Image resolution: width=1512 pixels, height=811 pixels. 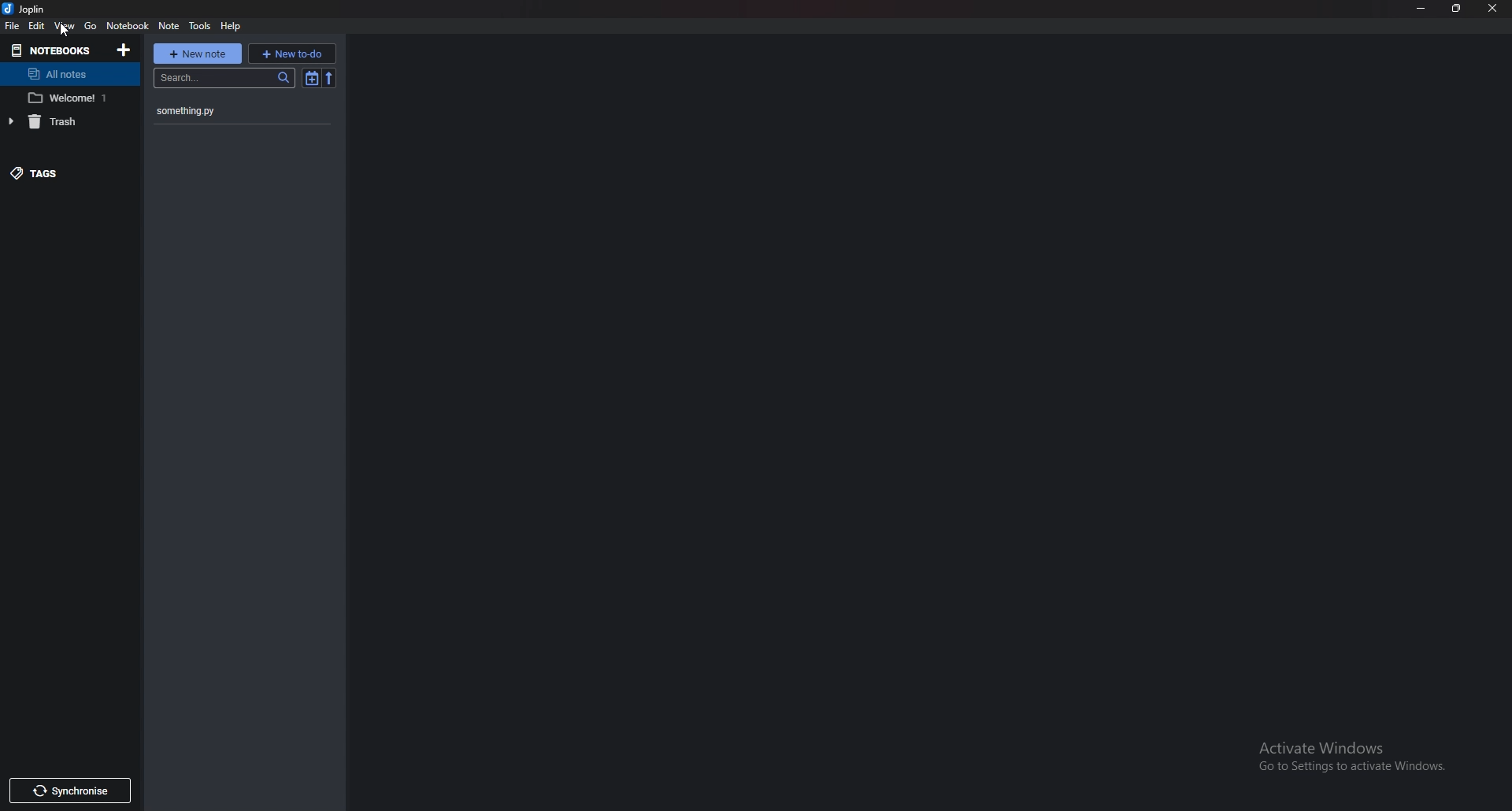 What do you see at coordinates (129, 26) in the screenshot?
I see `Notebook` at bounding box center [129, 26].